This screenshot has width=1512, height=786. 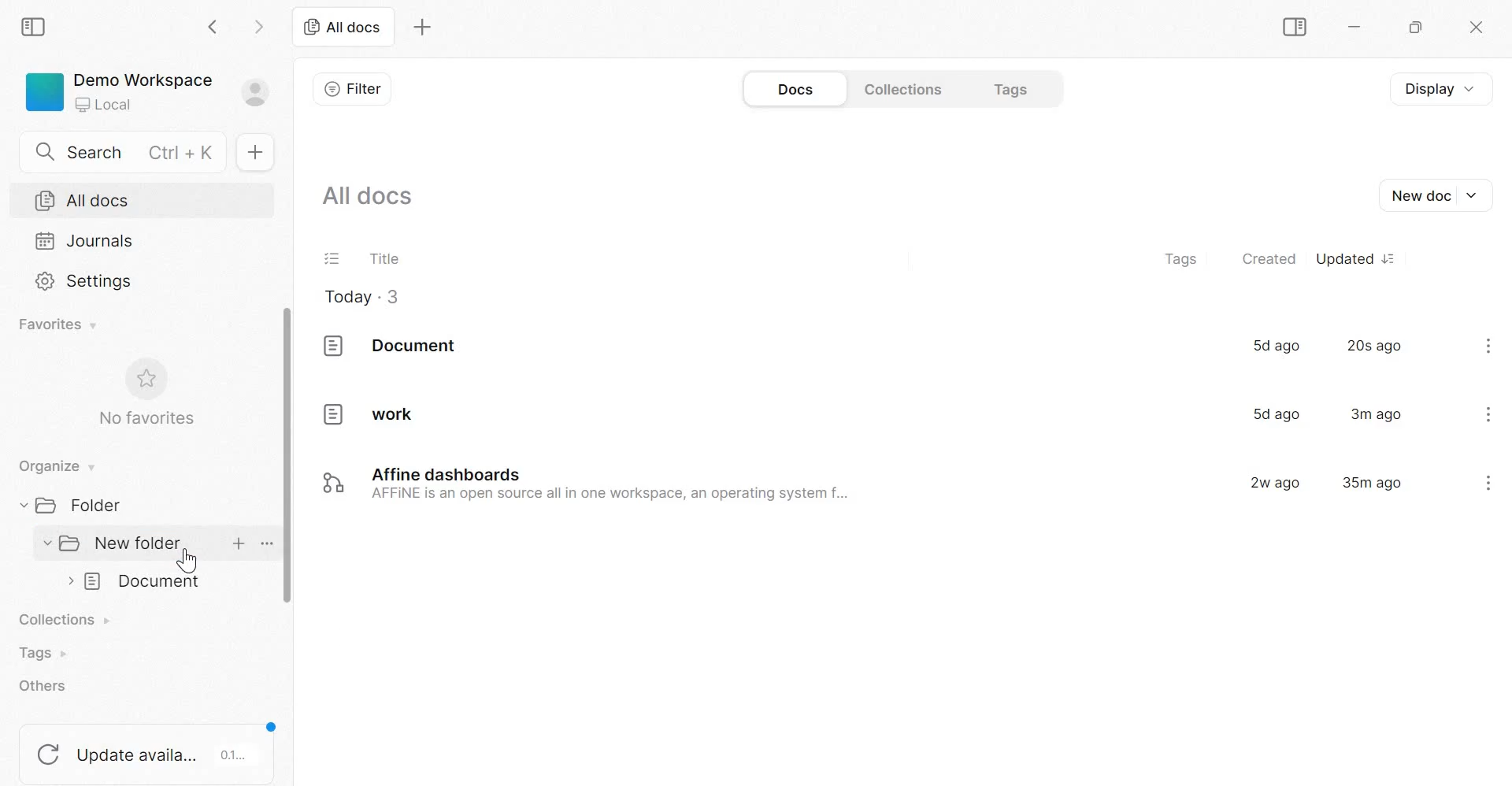 What do you see at coordinates (1182, 257) in the screenshot?
I see `tags` at bounding box center [1182, 257].